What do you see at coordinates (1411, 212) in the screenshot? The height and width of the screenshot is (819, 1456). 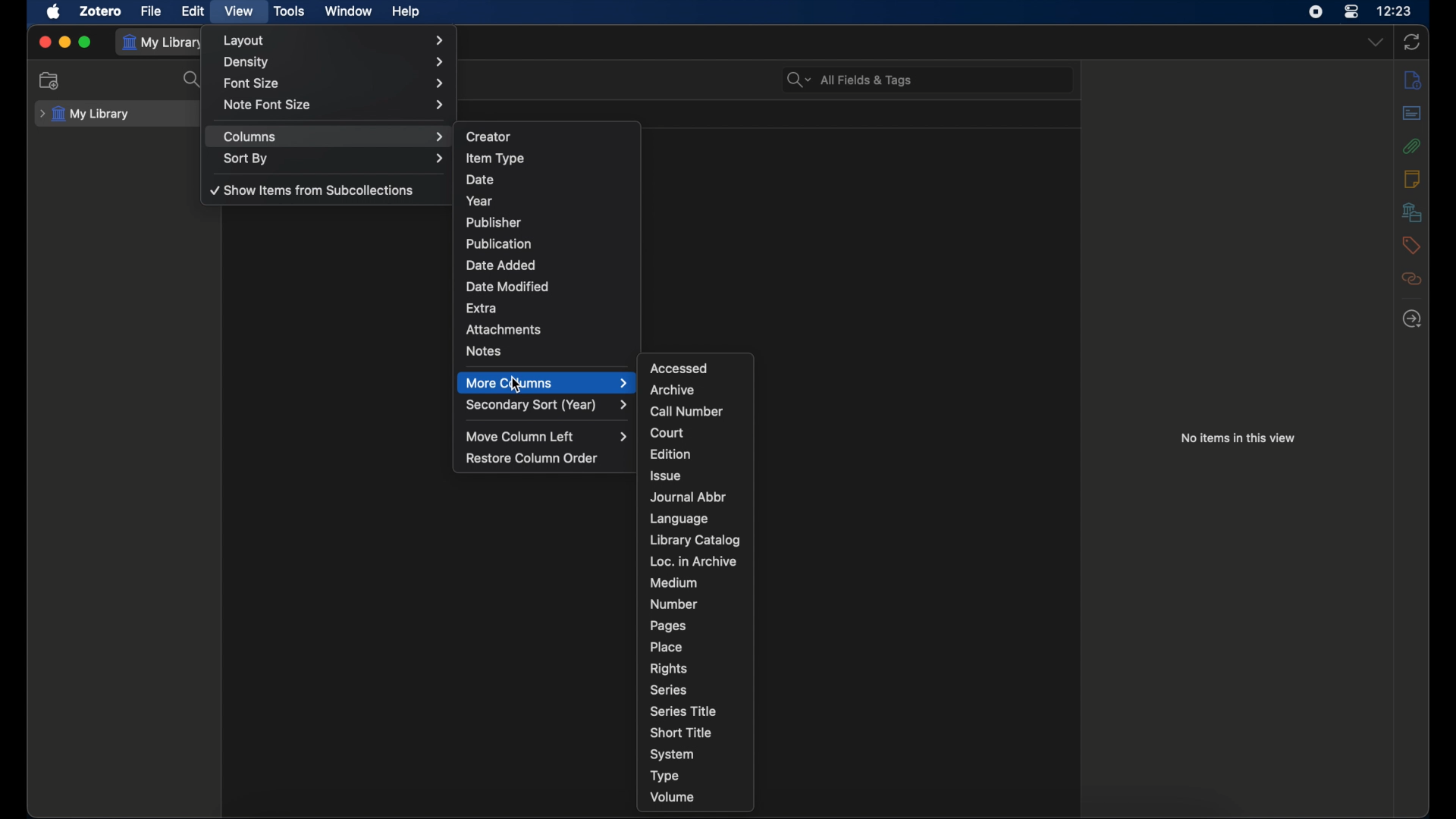 I see `libraries` at bounding box center [1411, 212].